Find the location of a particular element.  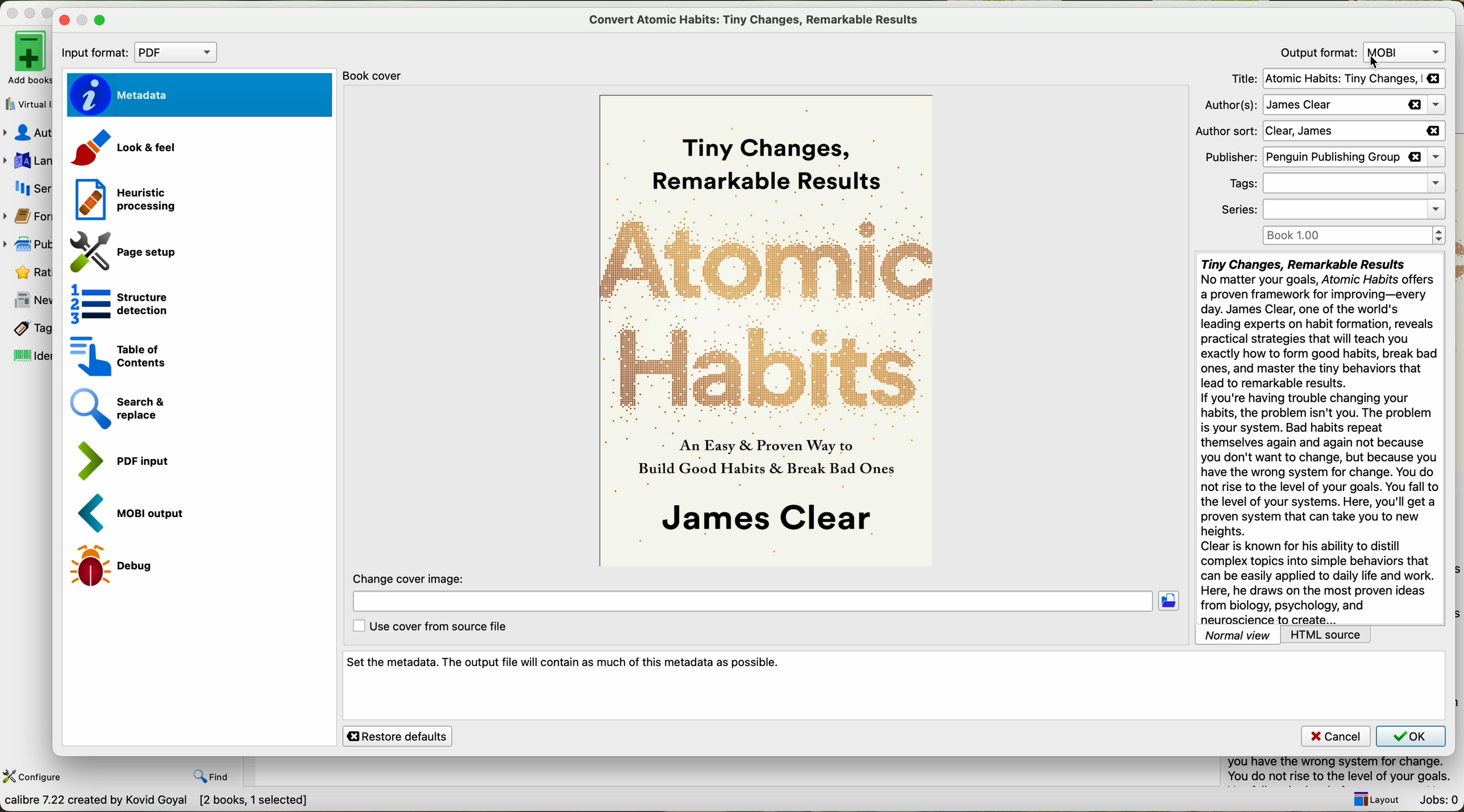

rating is located at coordinates (26, 272).